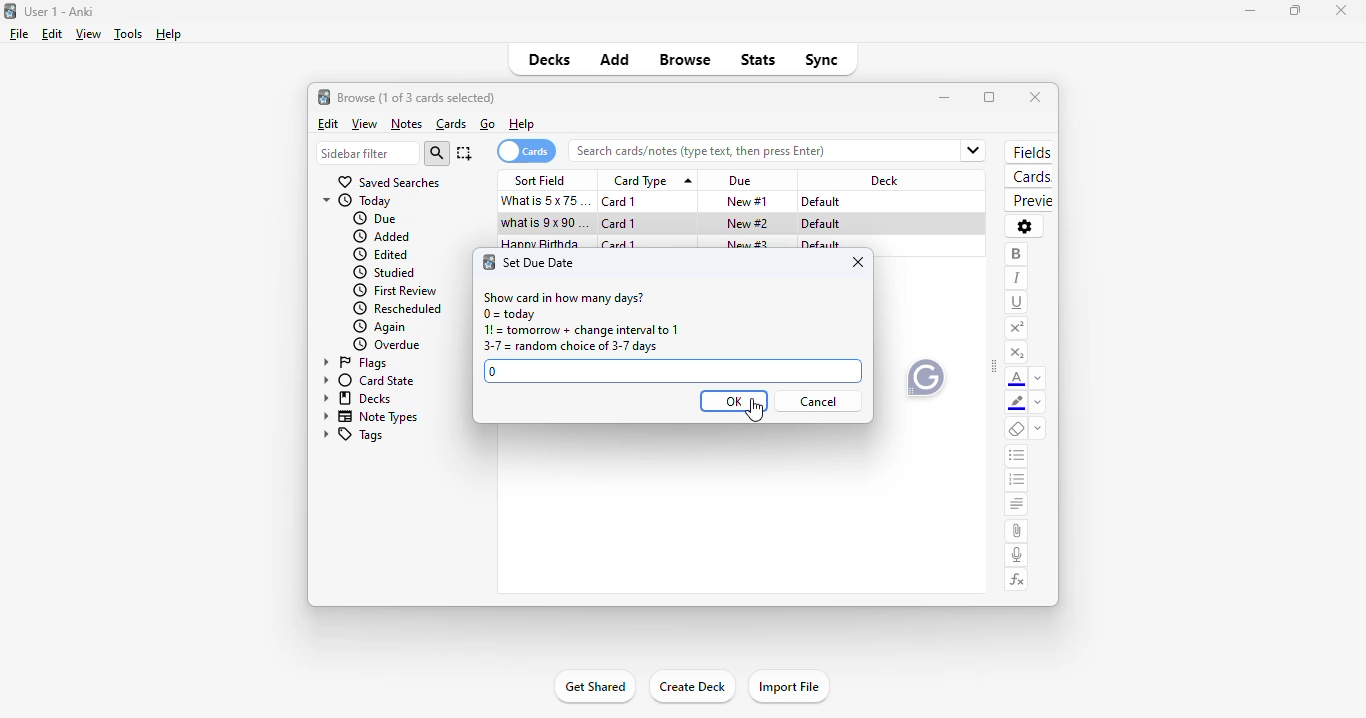 The image size is (1366, 718). What do you see at coordinates (53, 34) in the screenshot?
I see `edit` at bounding box center [53, 34].